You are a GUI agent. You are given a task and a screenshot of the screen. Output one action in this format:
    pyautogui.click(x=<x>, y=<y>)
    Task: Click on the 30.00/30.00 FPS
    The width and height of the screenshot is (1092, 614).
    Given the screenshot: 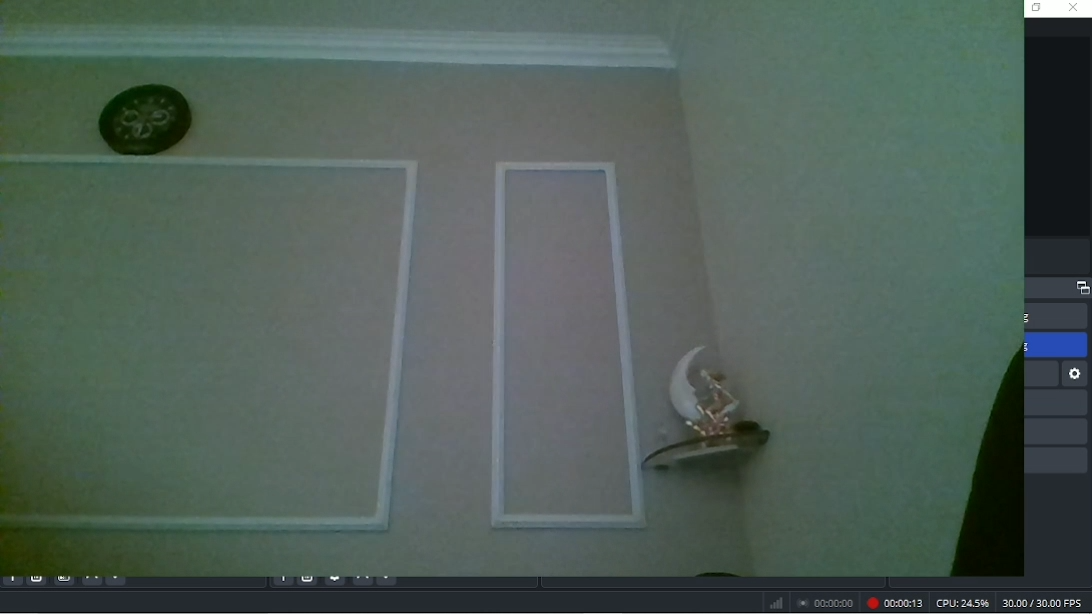 What is the action you would take?
    pyautogui.click(x=1045, y=604)
    